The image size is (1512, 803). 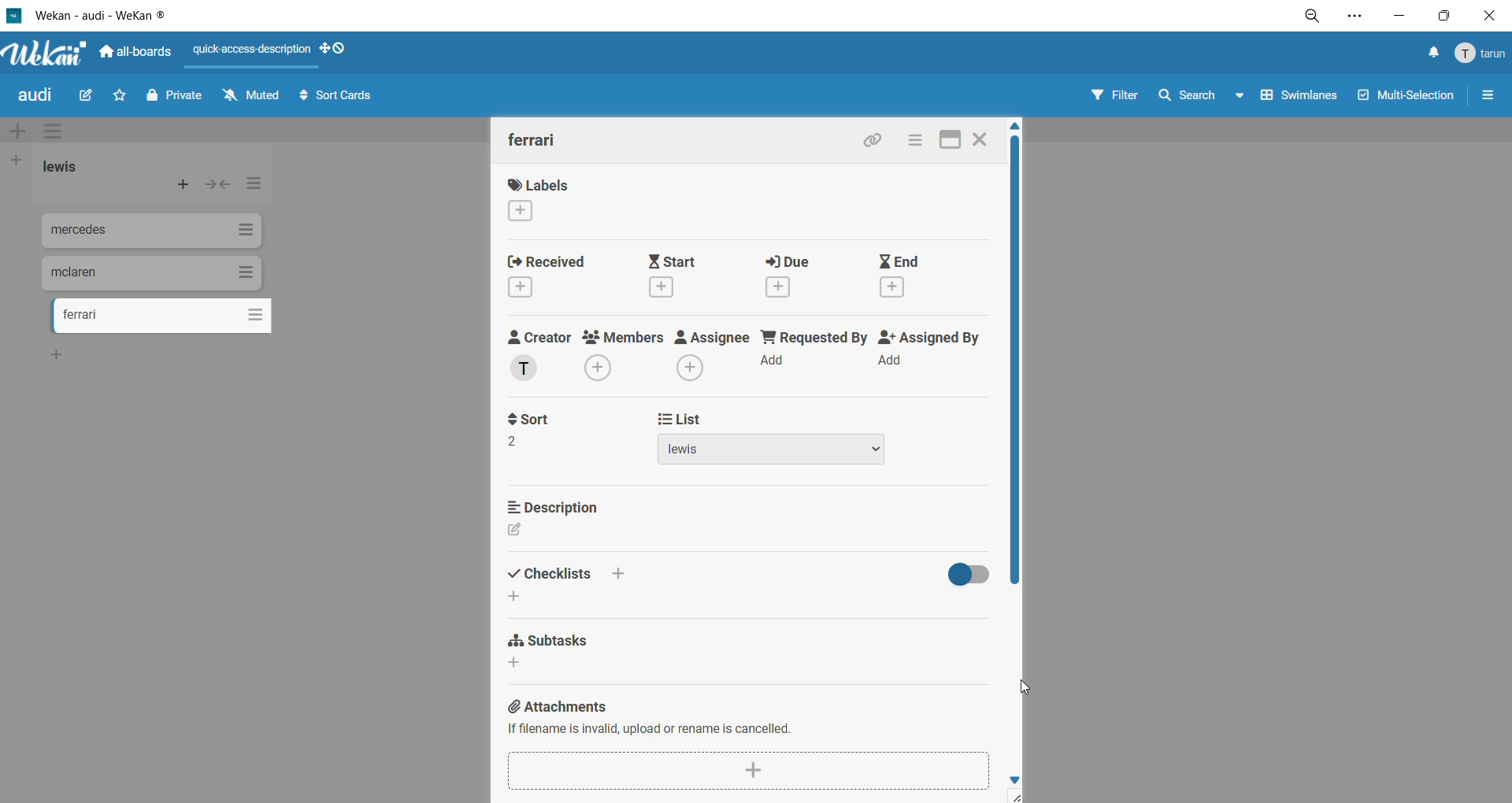 I want to click on creator, so click(x=541, y=355).